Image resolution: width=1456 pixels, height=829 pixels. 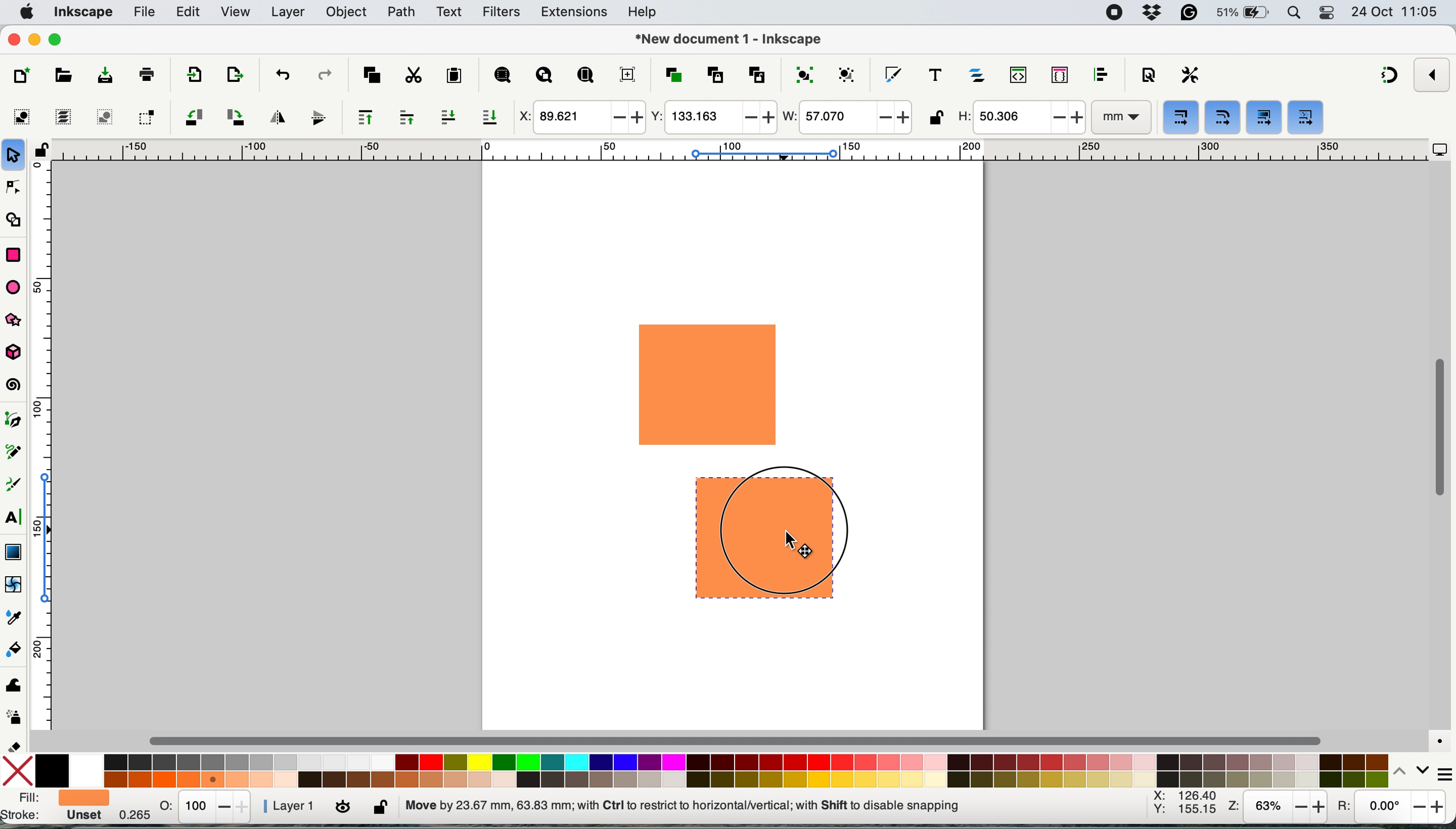 What do you see at coordinates (192, 118) in the screenshot?
I see `object rotate 90 ccw` at bounding box center [192, 118].